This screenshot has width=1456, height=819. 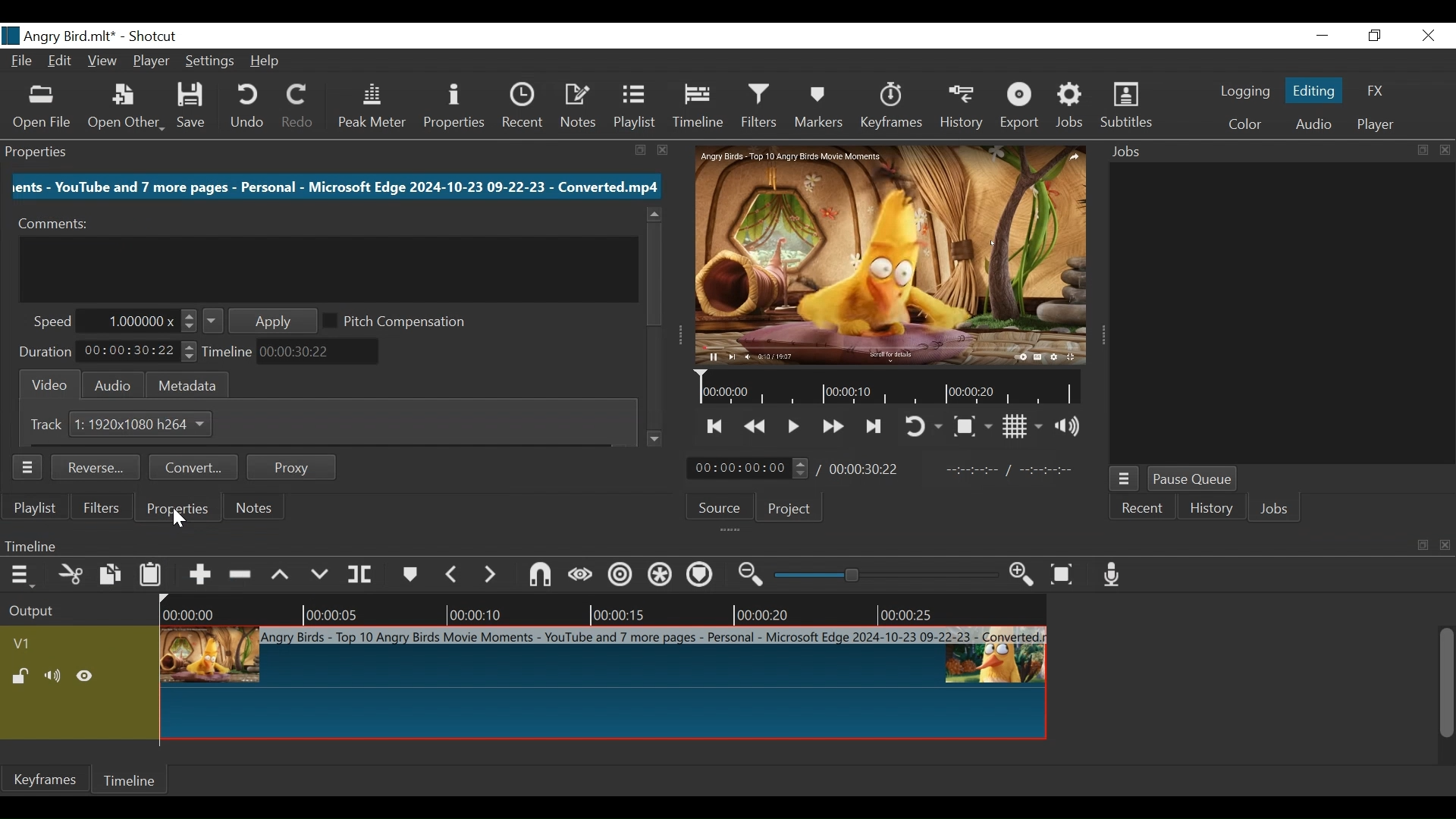 I want to click on (un)select Pitch Compensation, so click(x=402, y=321).